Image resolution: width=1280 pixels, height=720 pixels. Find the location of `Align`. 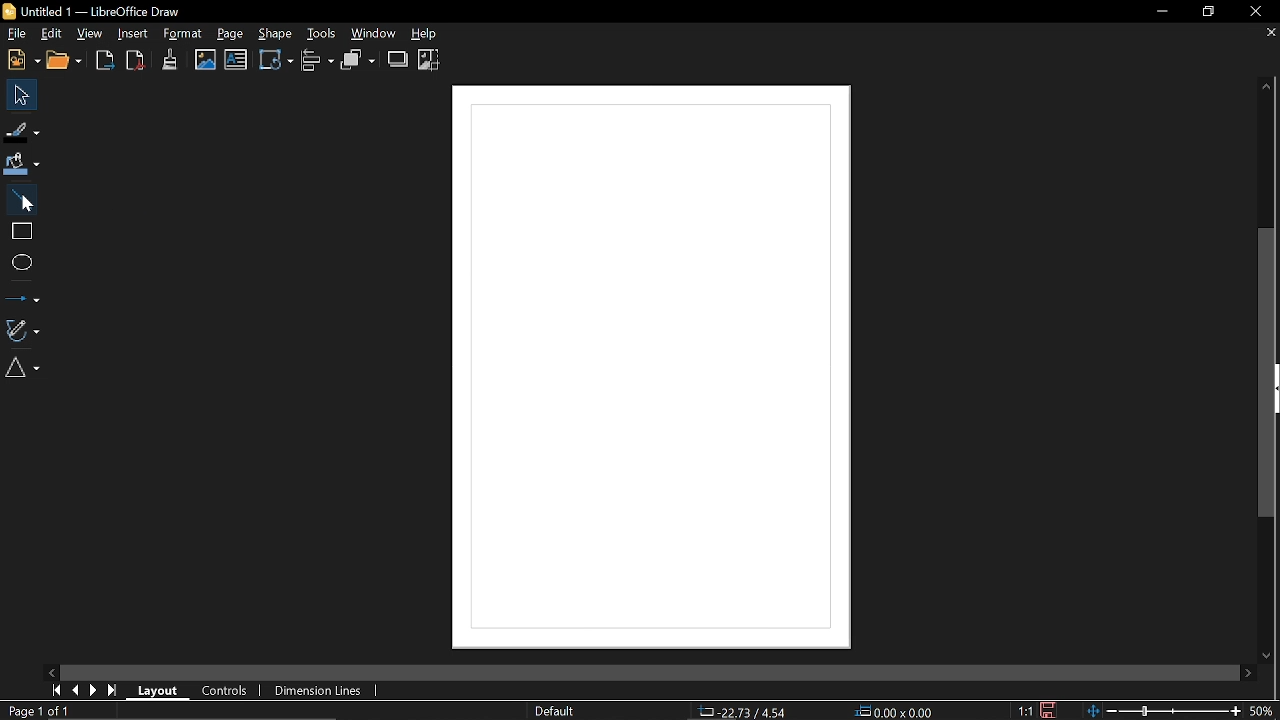

Align is located at coordinates (318, 62).